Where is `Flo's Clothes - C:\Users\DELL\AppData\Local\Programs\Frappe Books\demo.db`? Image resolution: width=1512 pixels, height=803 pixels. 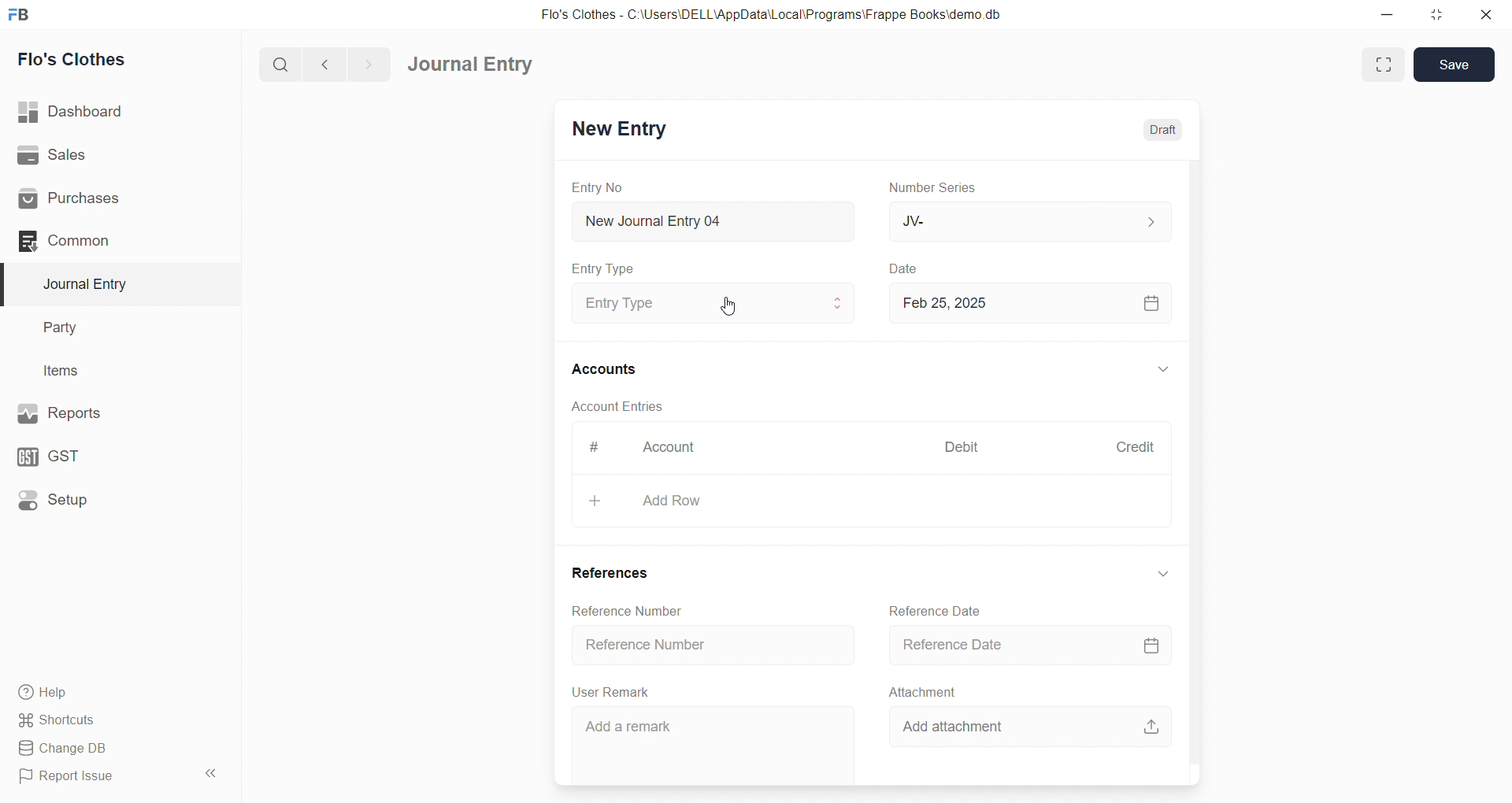 Flo's Clothes - C:\Users\DELL\AppData\Local\Programs\Frappe Books\demo.db is located at coordinates (771, 15).